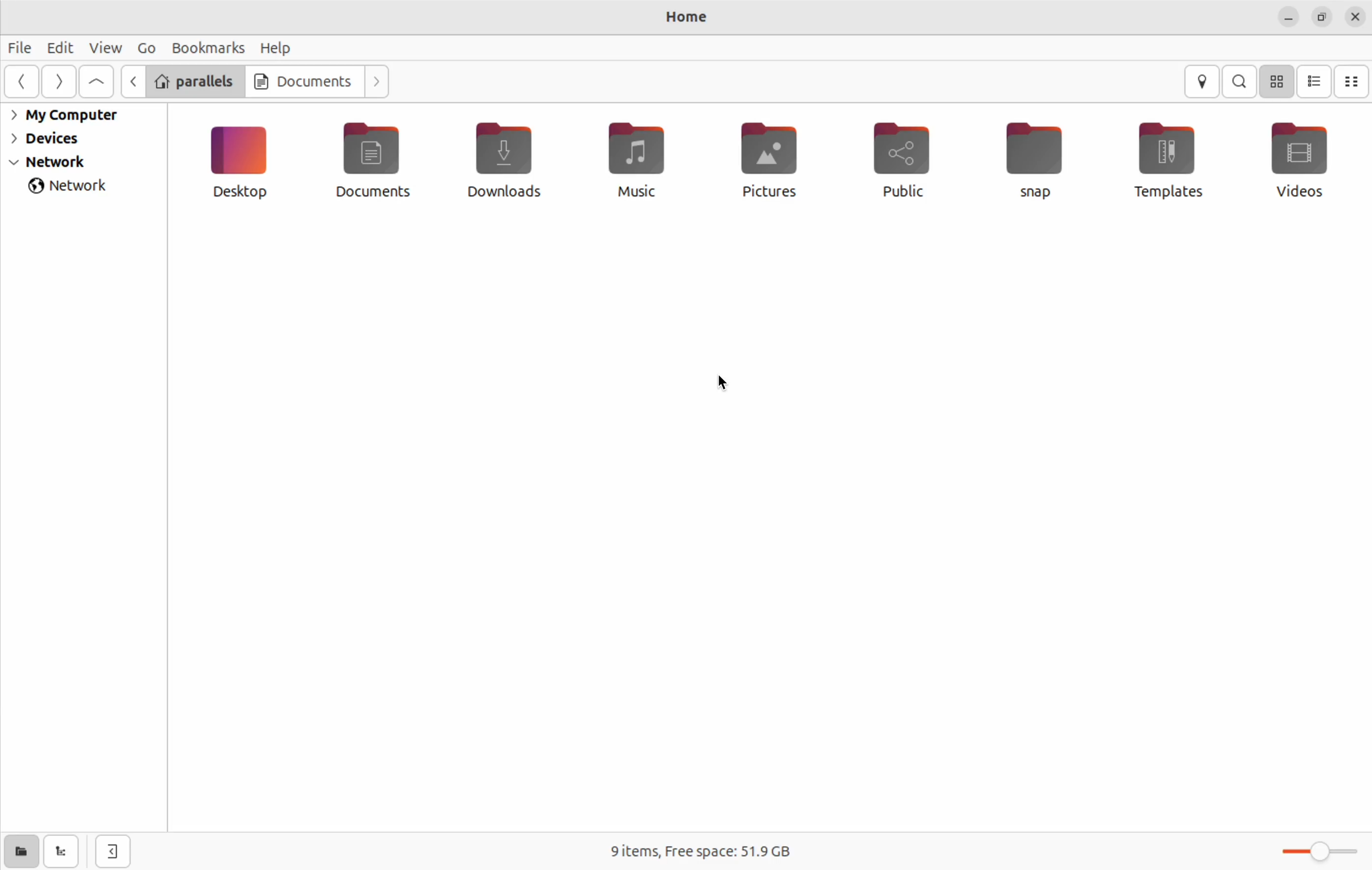 Image resolution: width=1372 pixels, height=870 pixels. I want to click on Free spaces, so click(697, 849).